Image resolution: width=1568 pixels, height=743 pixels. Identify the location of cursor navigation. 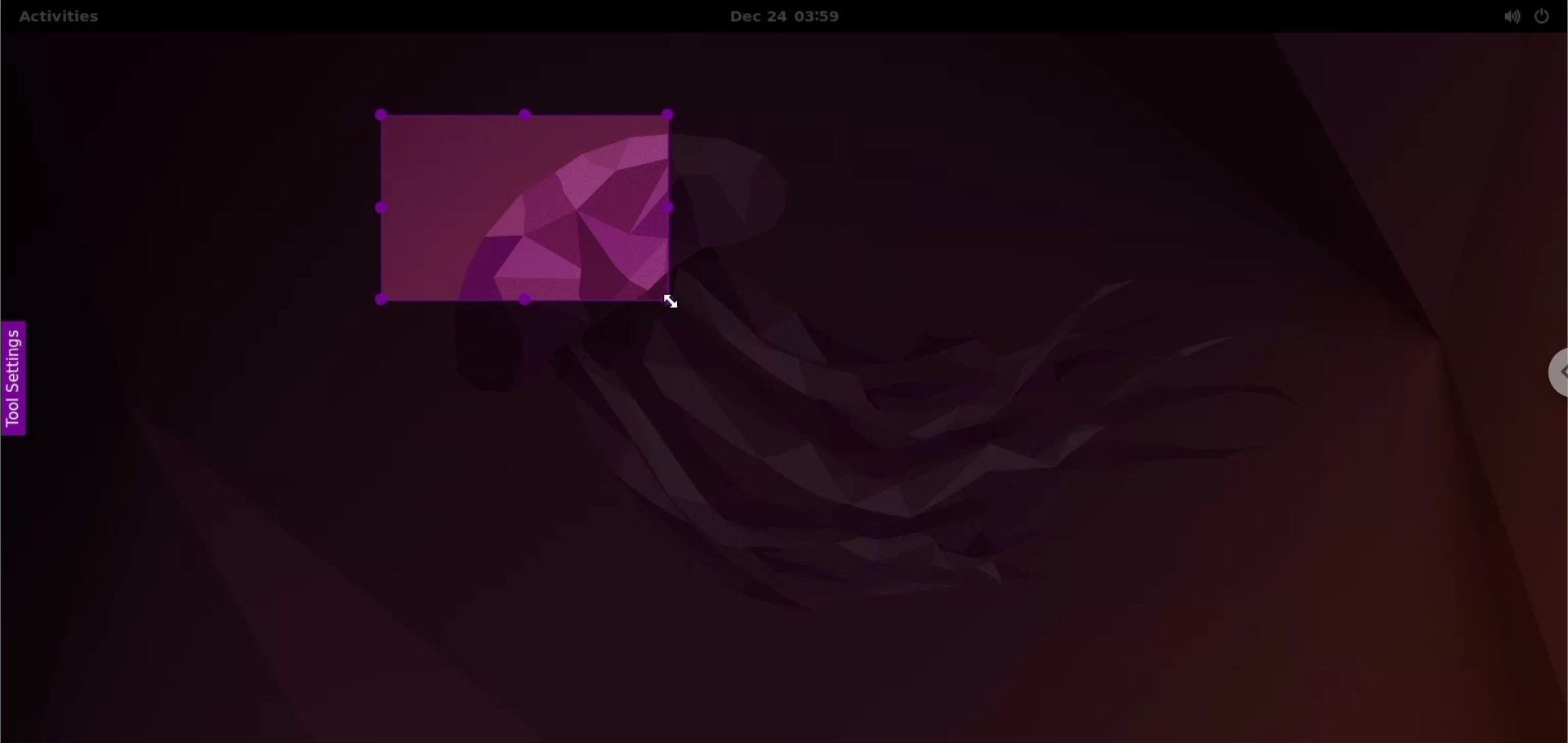
(675, 304).